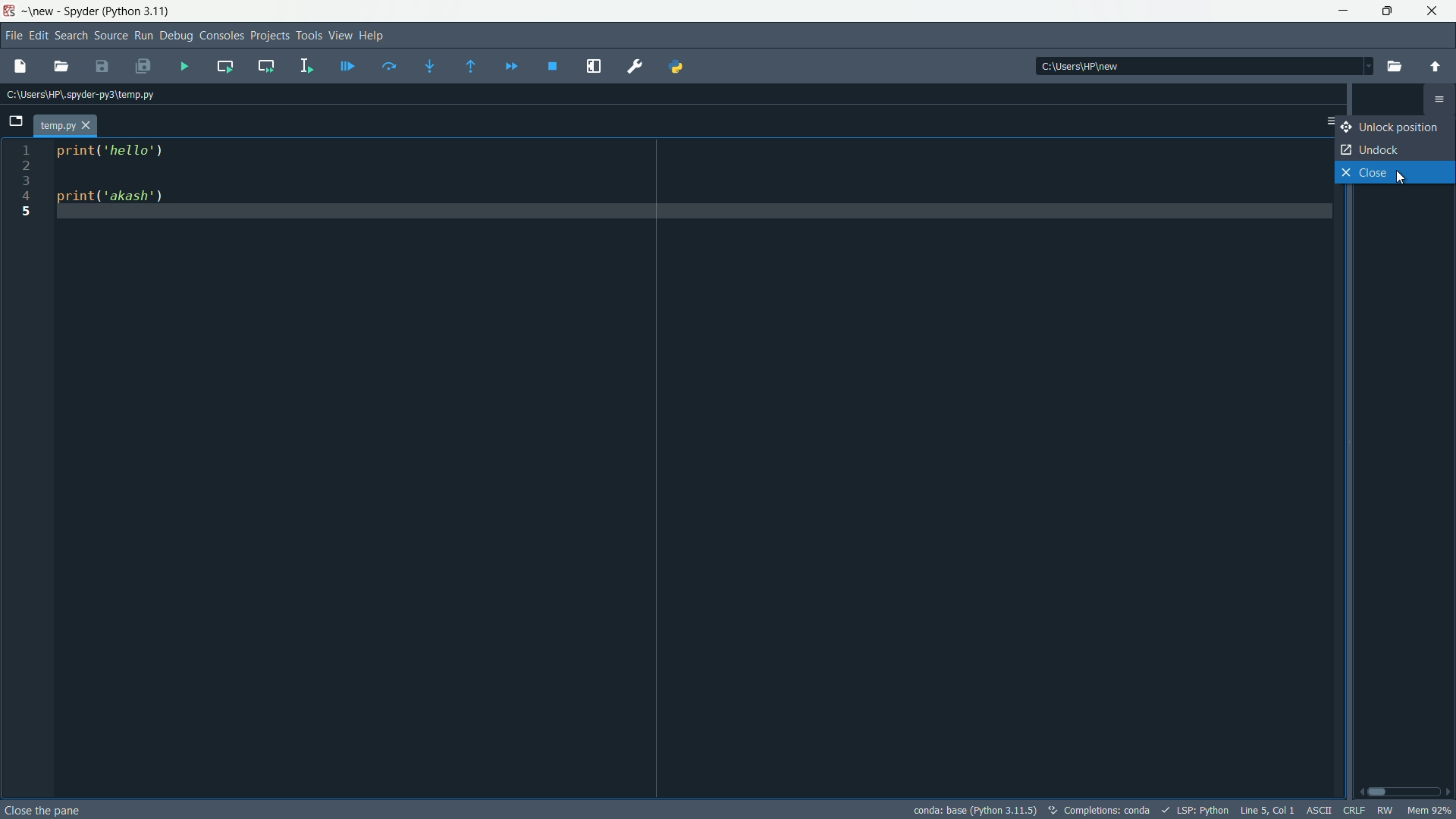 This screenshot has height=819, width=1456. Describe the element at coordinates (1397, 127) in the screenshot. I see `unlock position` at that location.